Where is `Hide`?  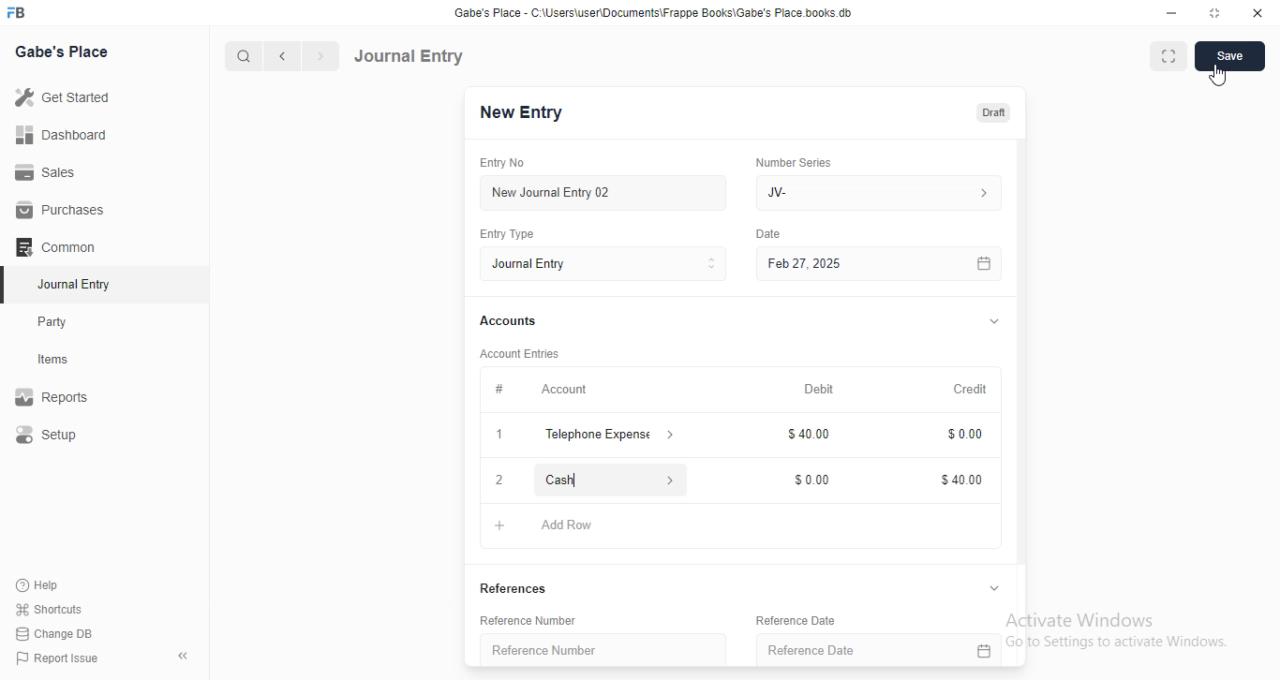 Hide is located at coordinates (995, 320).